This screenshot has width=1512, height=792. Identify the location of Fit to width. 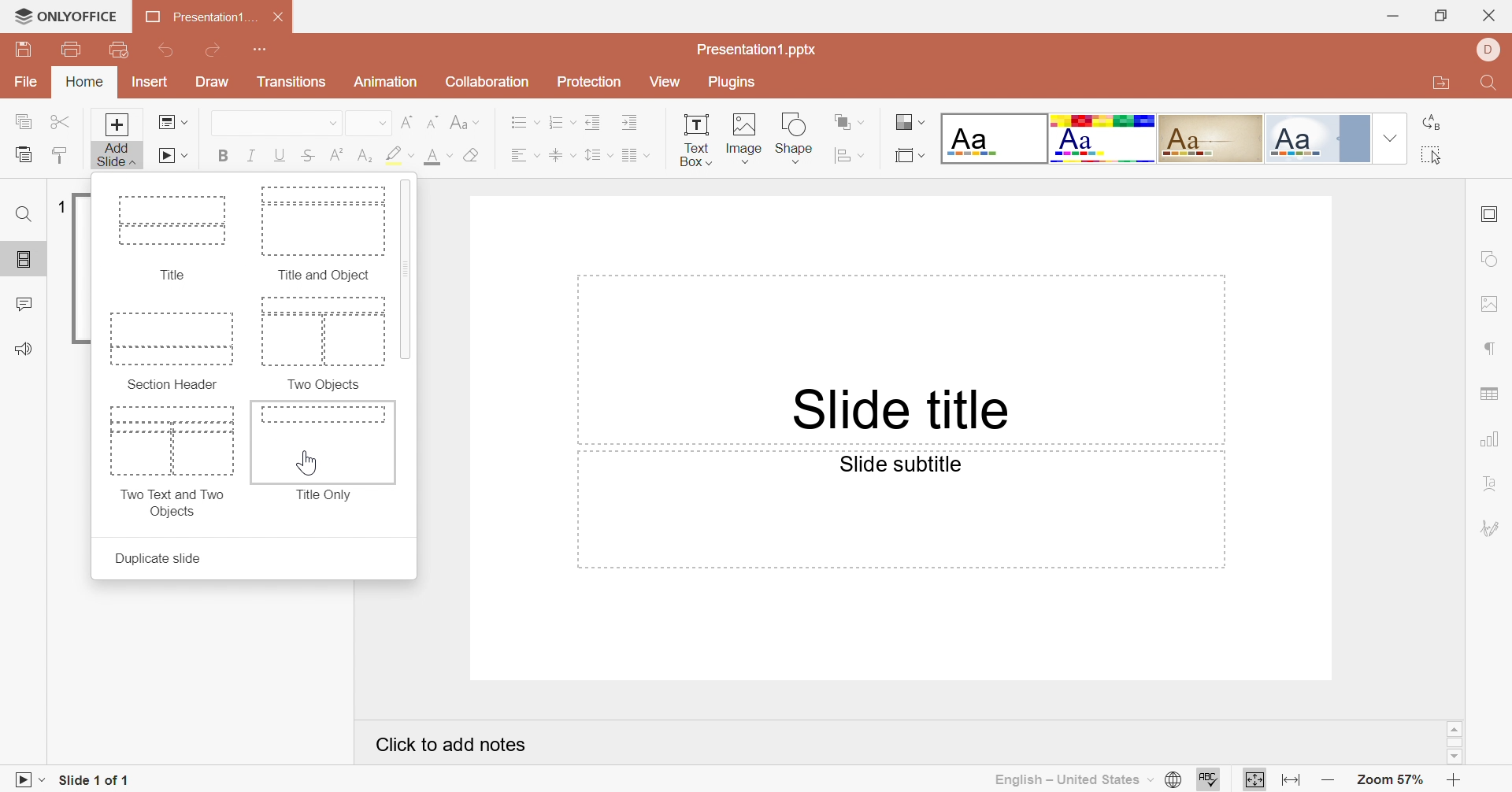
(1291, 781).